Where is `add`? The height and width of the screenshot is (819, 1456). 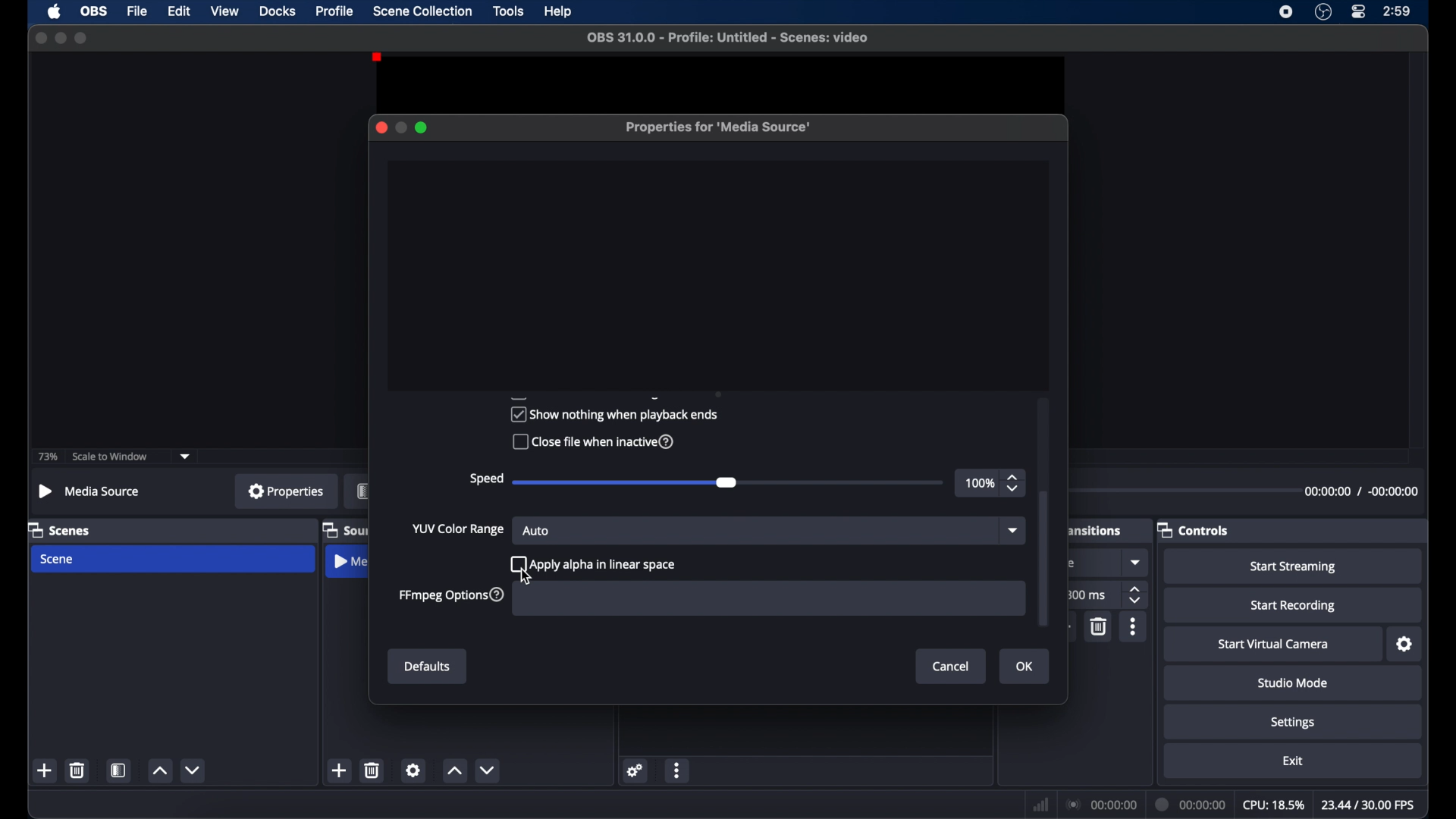
add is located at coordinates (340, 770).